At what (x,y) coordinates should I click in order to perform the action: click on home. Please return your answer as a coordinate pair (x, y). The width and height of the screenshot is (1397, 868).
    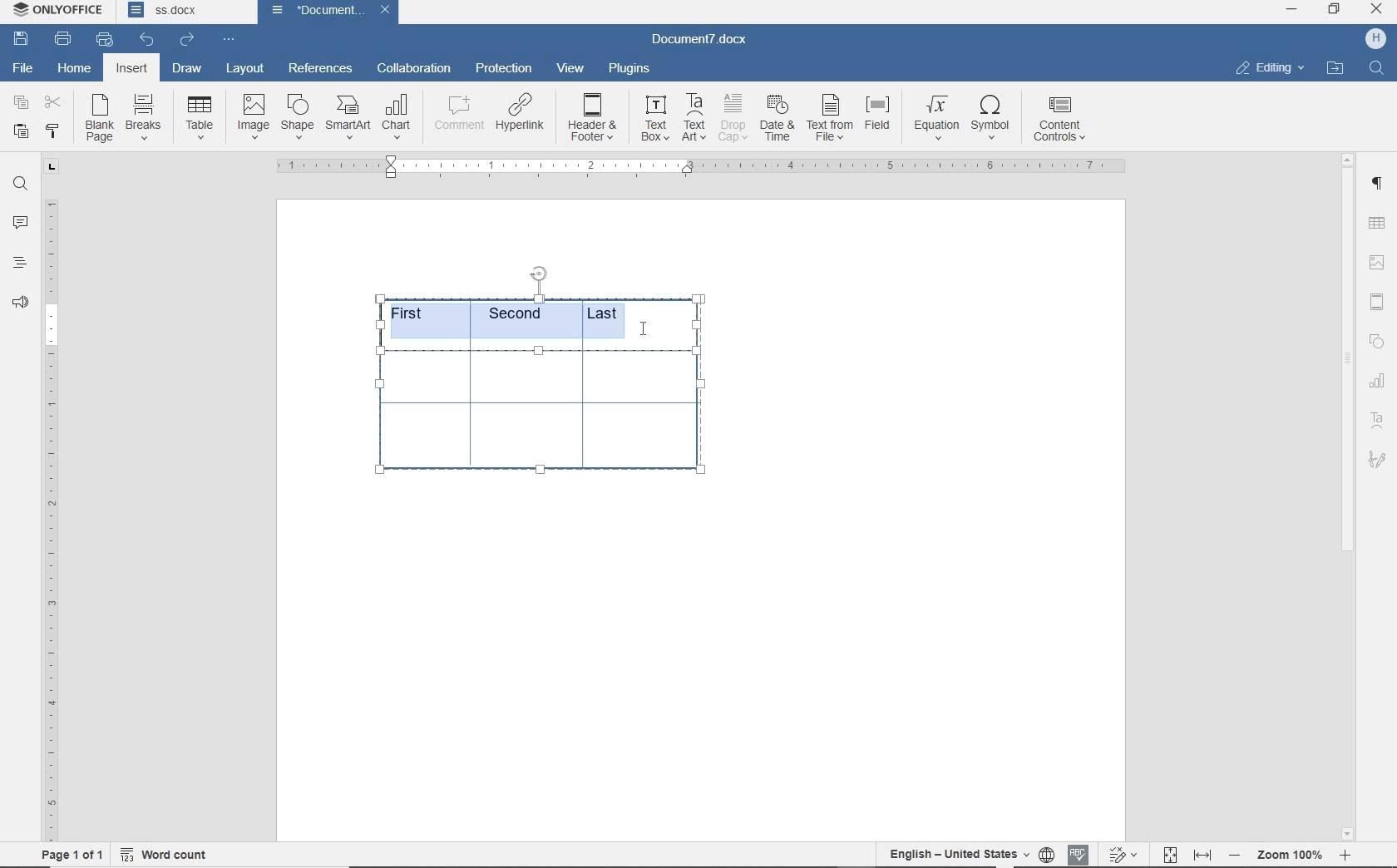
    Looking at the image, I should click on (76, 70).